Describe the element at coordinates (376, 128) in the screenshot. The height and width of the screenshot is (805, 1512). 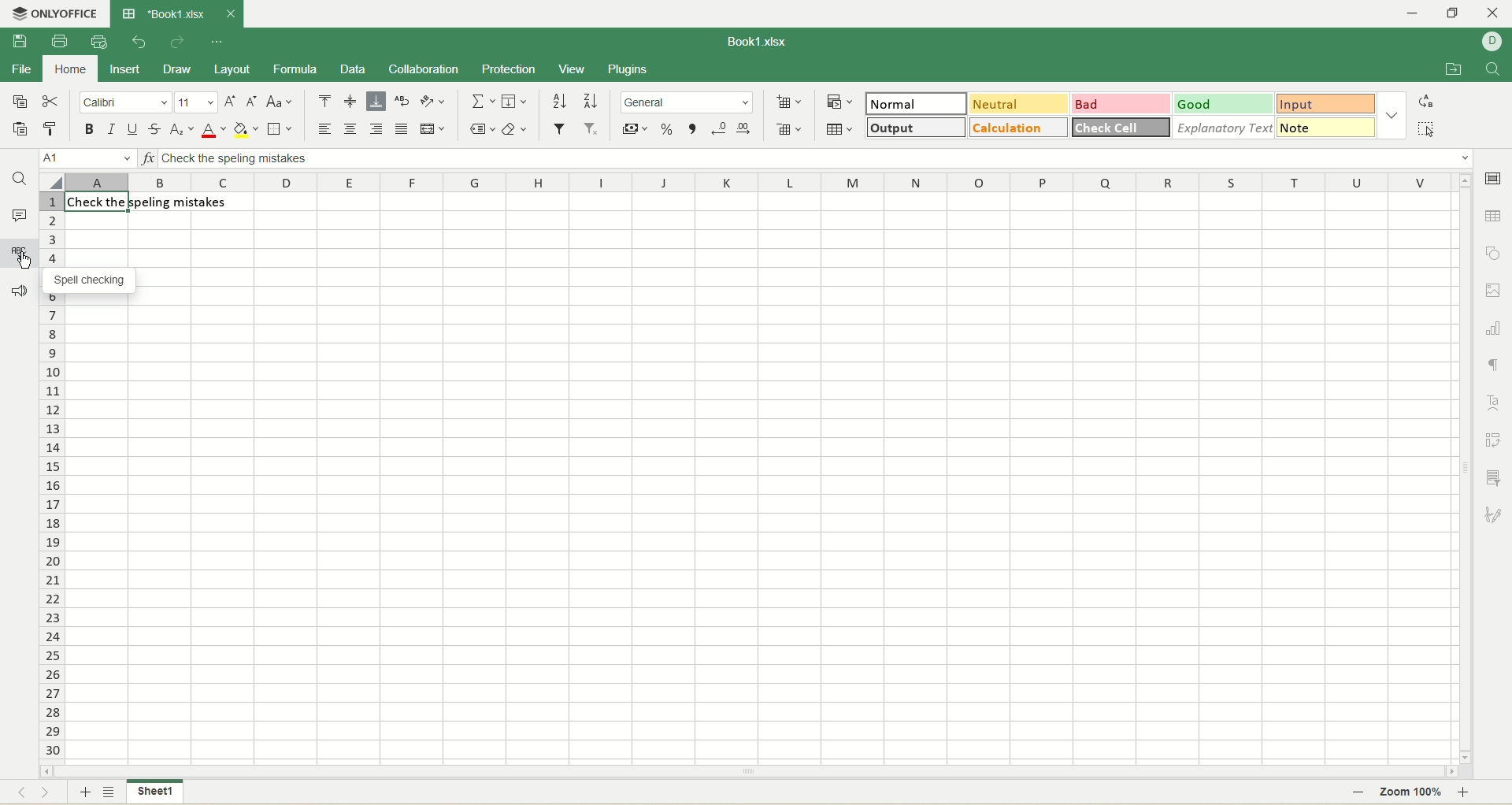
I see `align right` at that location.